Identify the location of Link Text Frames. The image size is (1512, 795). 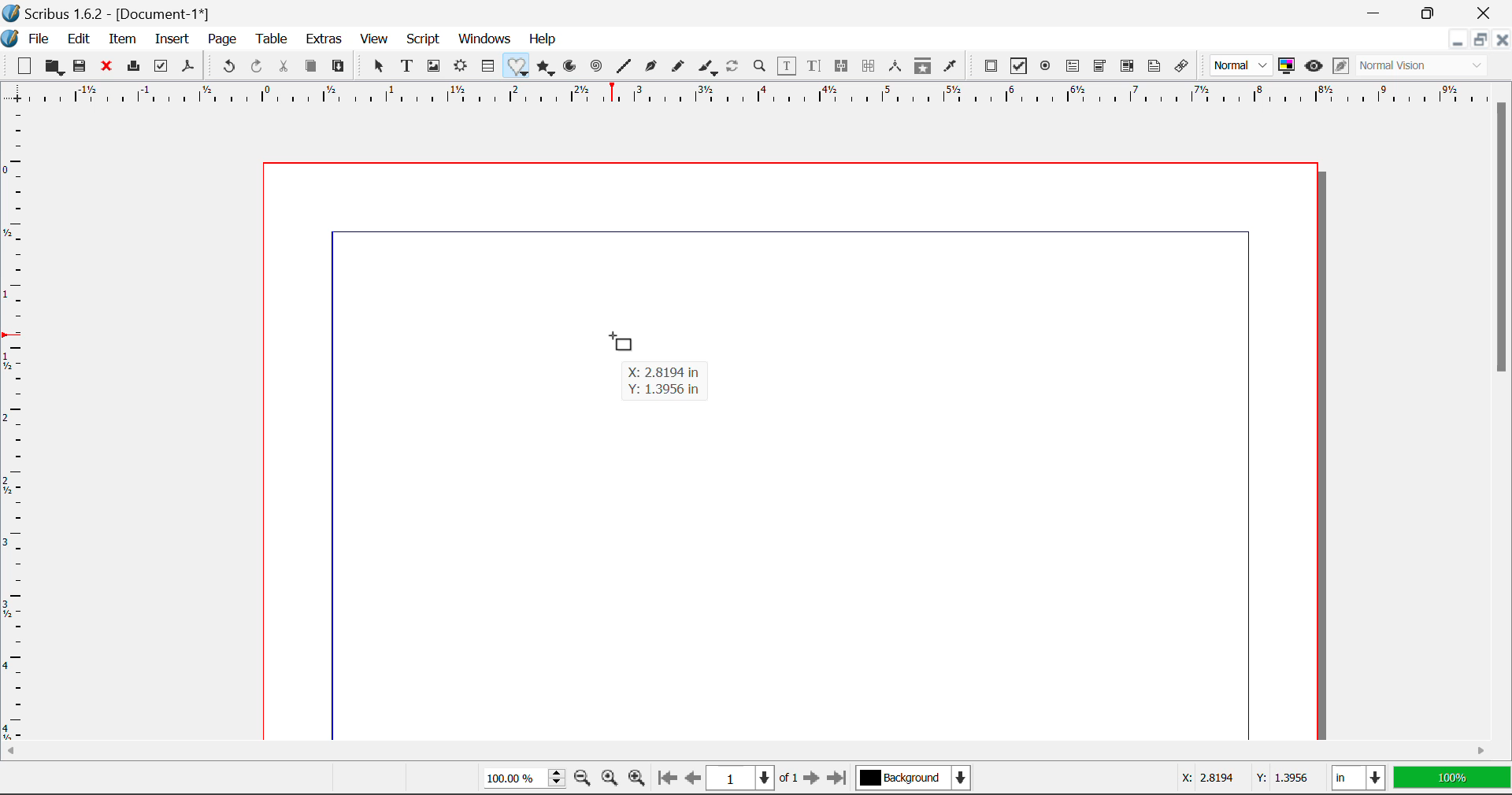
(844, 65).